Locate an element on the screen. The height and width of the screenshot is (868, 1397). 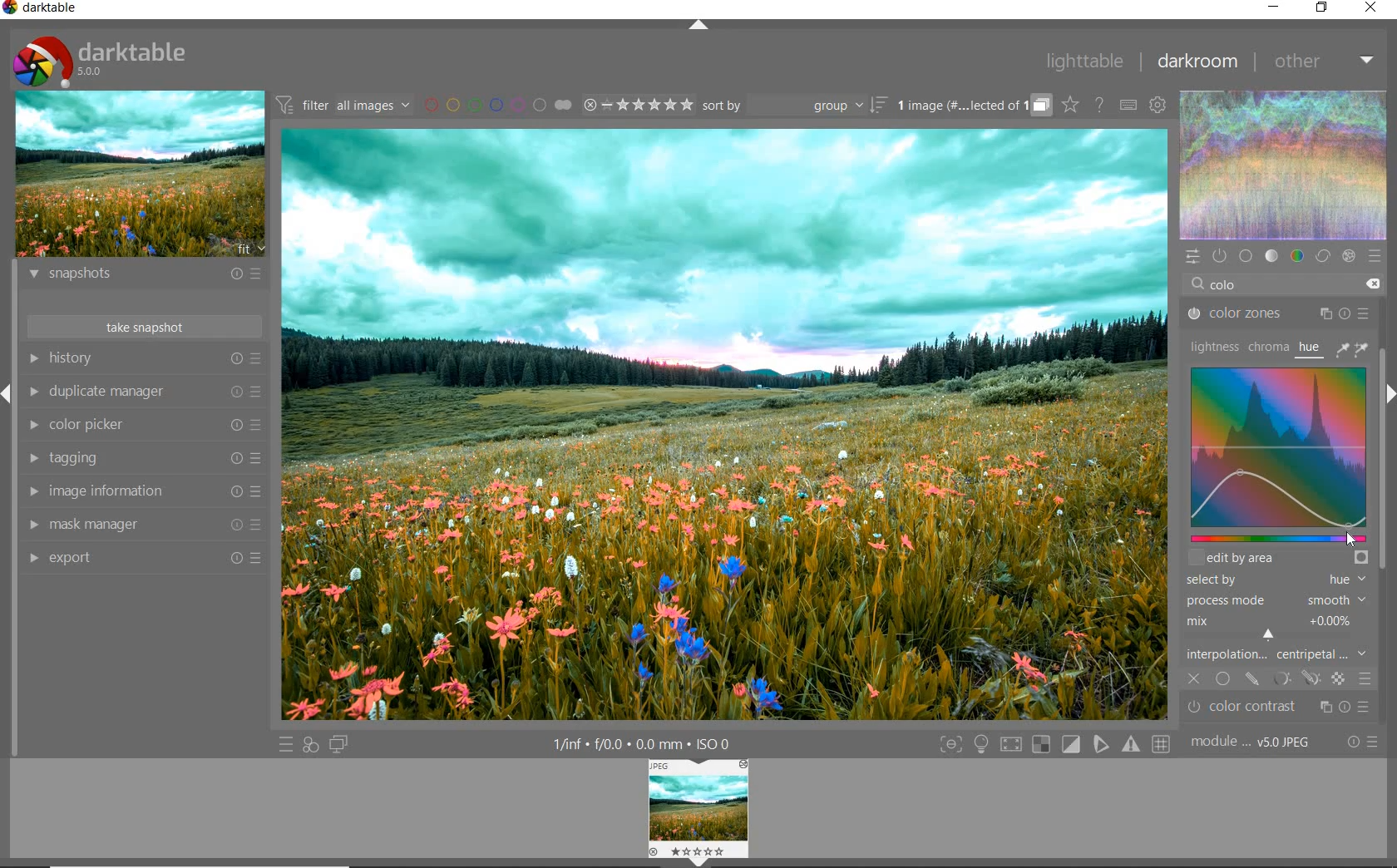
display a second darkroom image window is located at coordinates (338, 743).